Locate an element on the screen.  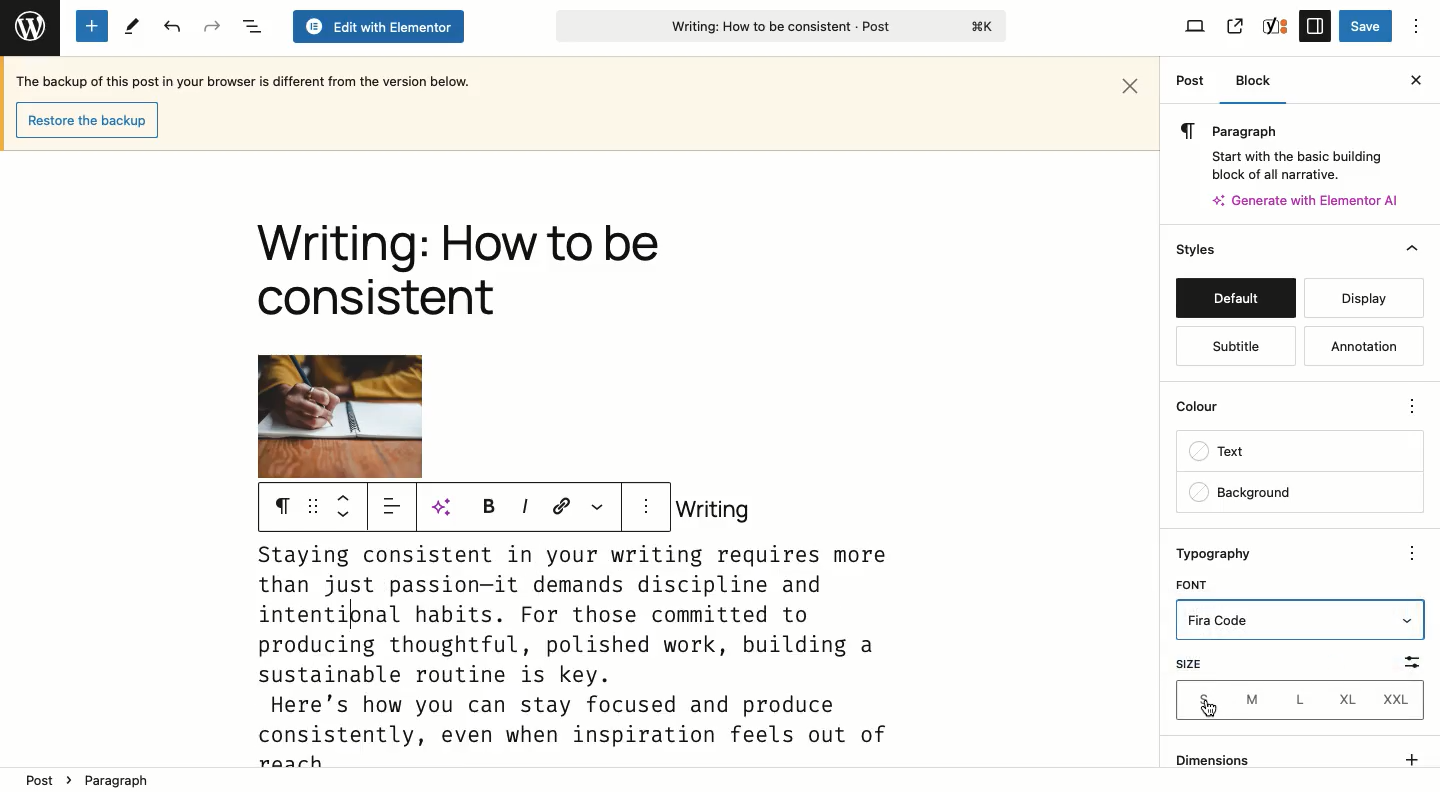
Body is located at coordinates (585, 653).